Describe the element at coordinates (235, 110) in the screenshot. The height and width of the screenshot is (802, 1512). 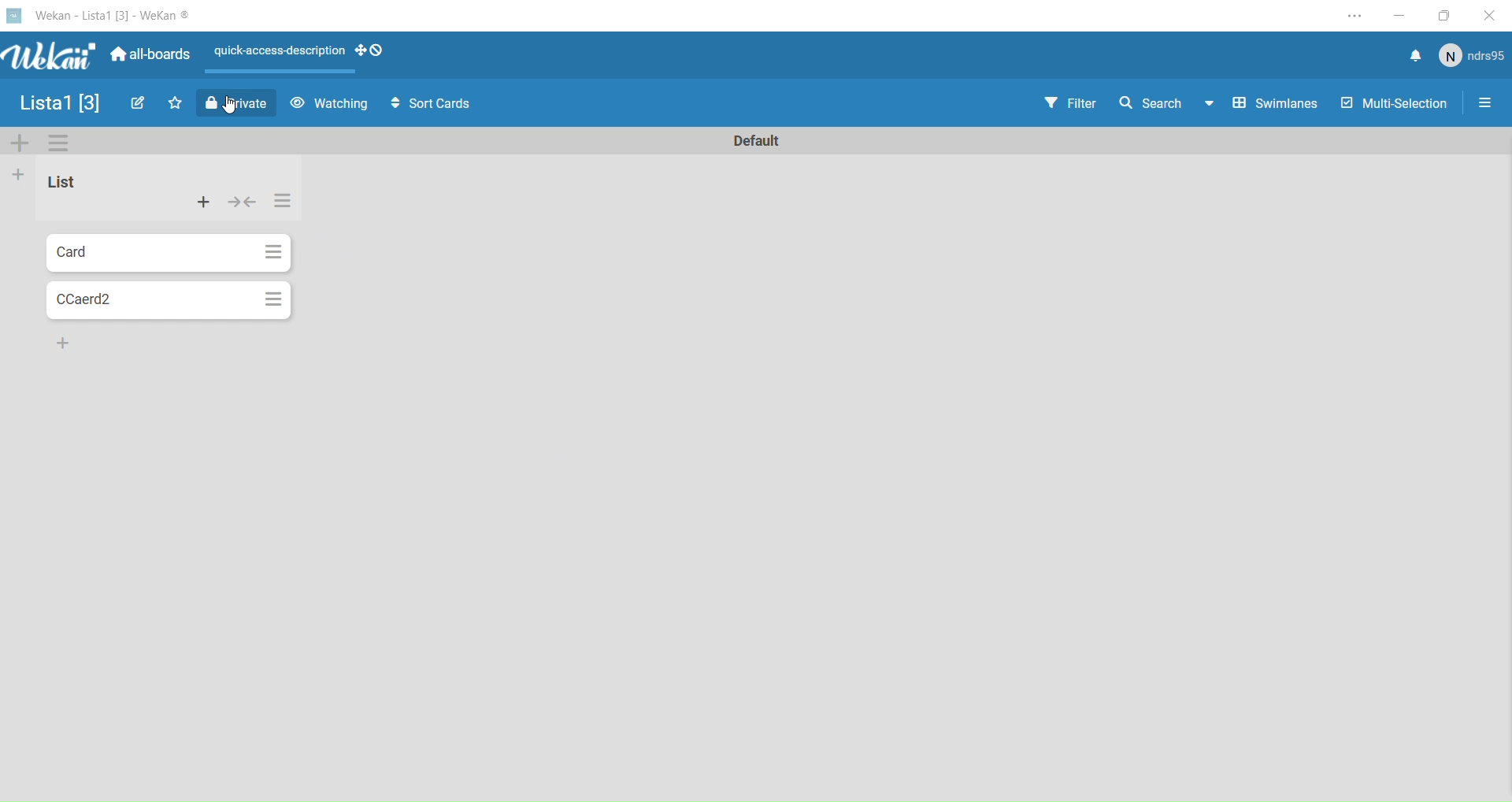
I see `cursor` at that location.